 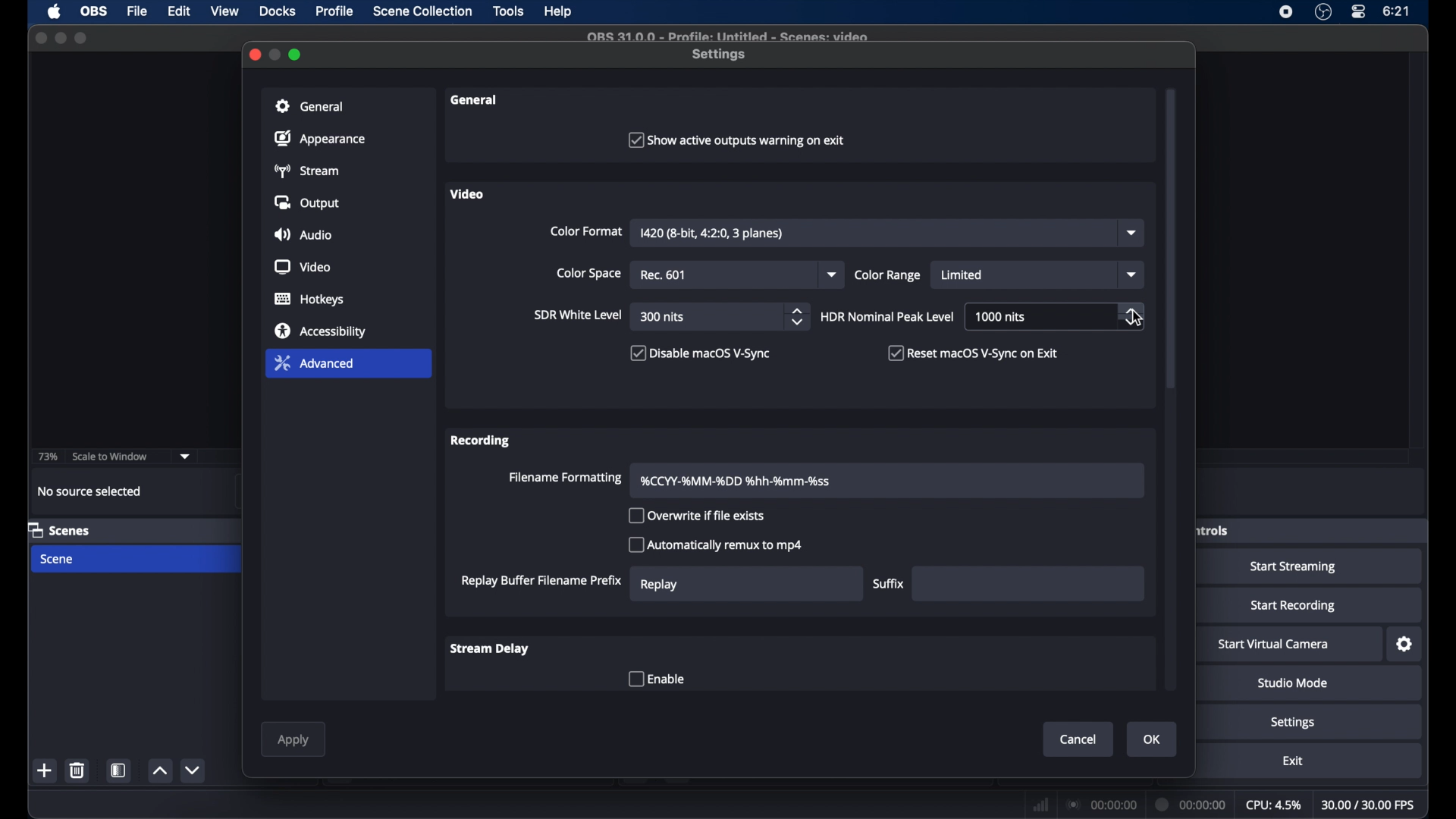 What do you see at coordinates (1213, 530) in the screenshot?
I see `obscure labels` at bounding box center [1213, 530].